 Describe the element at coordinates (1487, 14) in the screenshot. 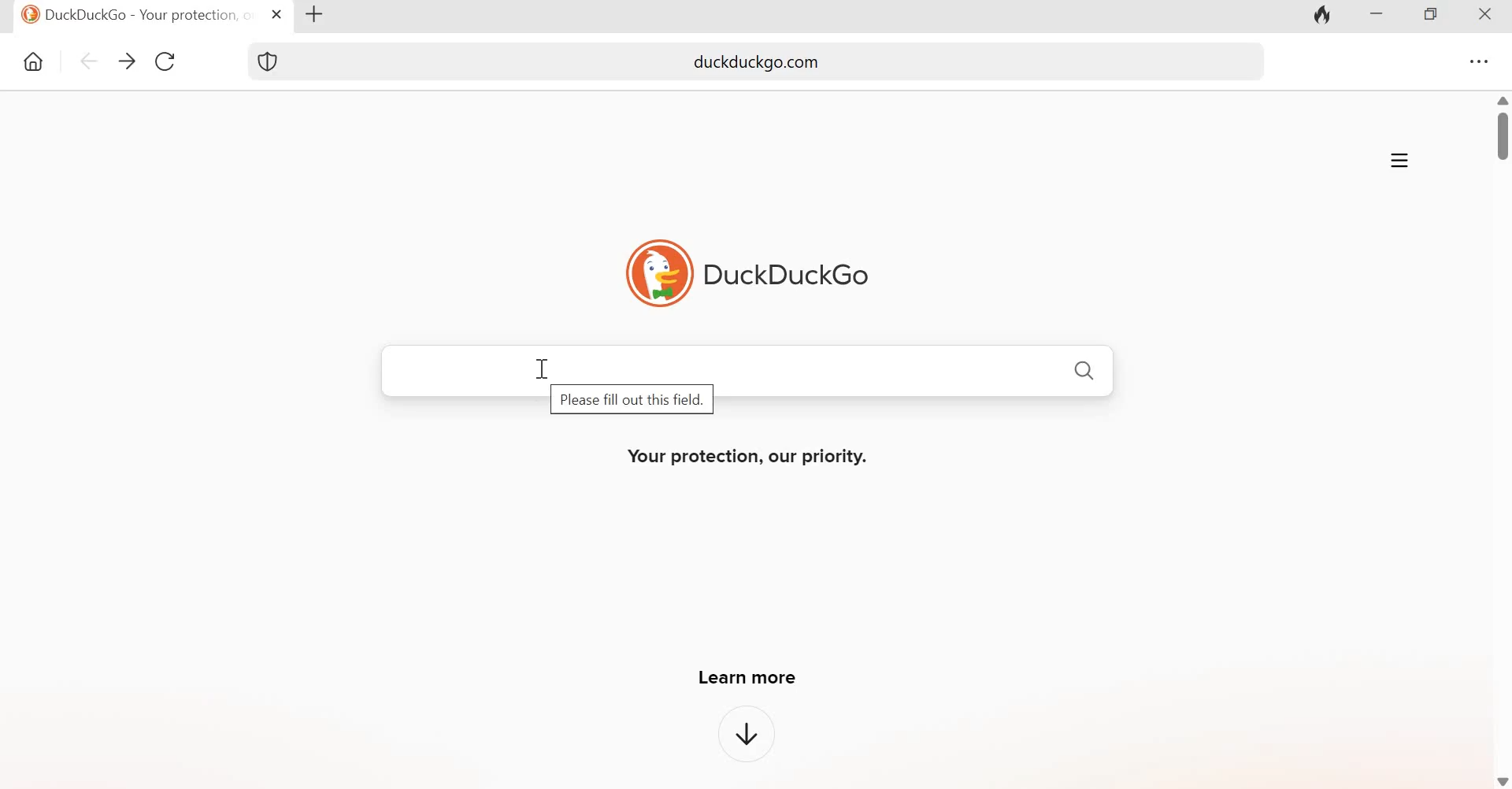

I see `Close` at that location.